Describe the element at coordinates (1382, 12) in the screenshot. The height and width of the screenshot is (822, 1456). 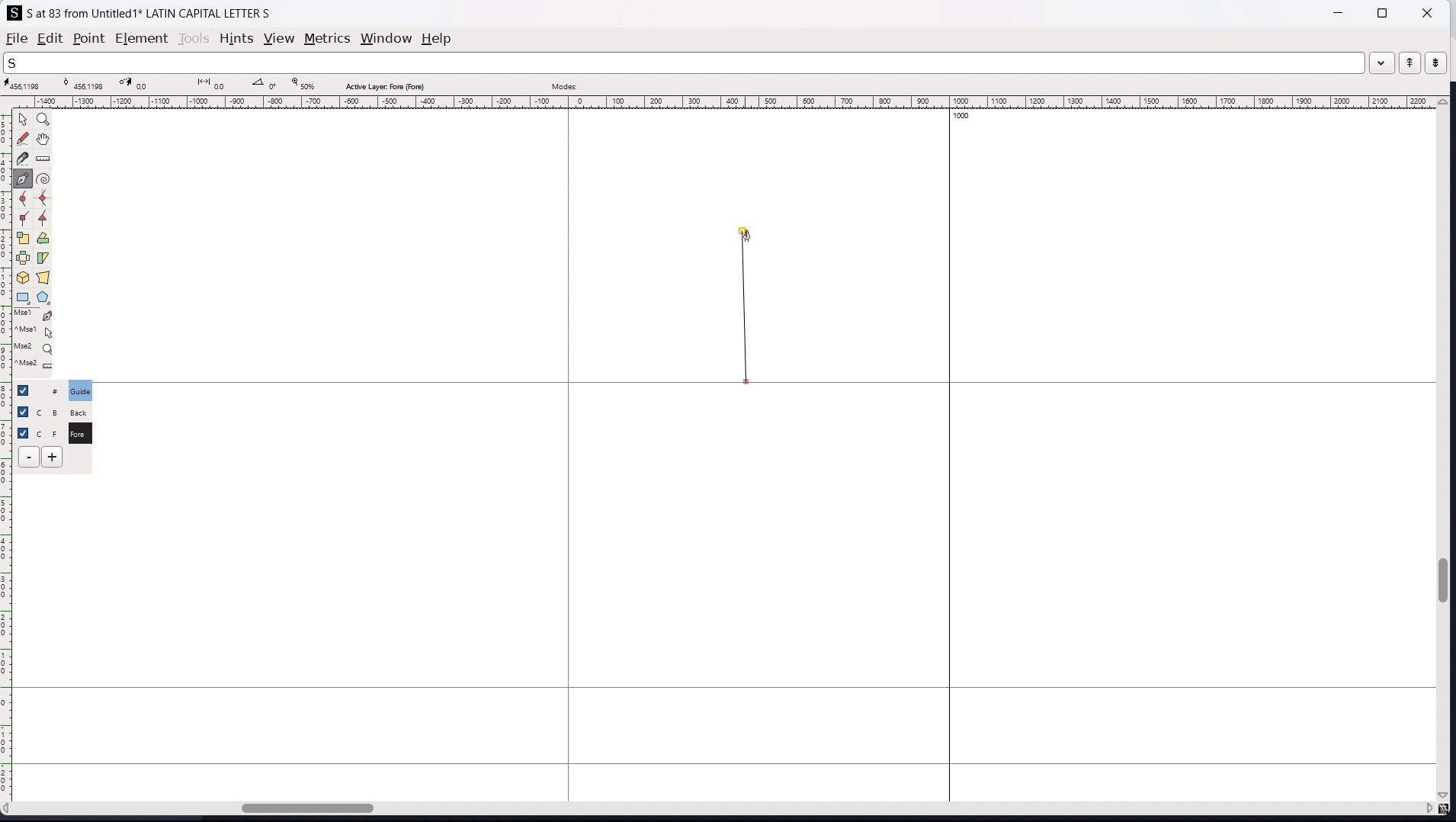
I see `maximize` at that location.